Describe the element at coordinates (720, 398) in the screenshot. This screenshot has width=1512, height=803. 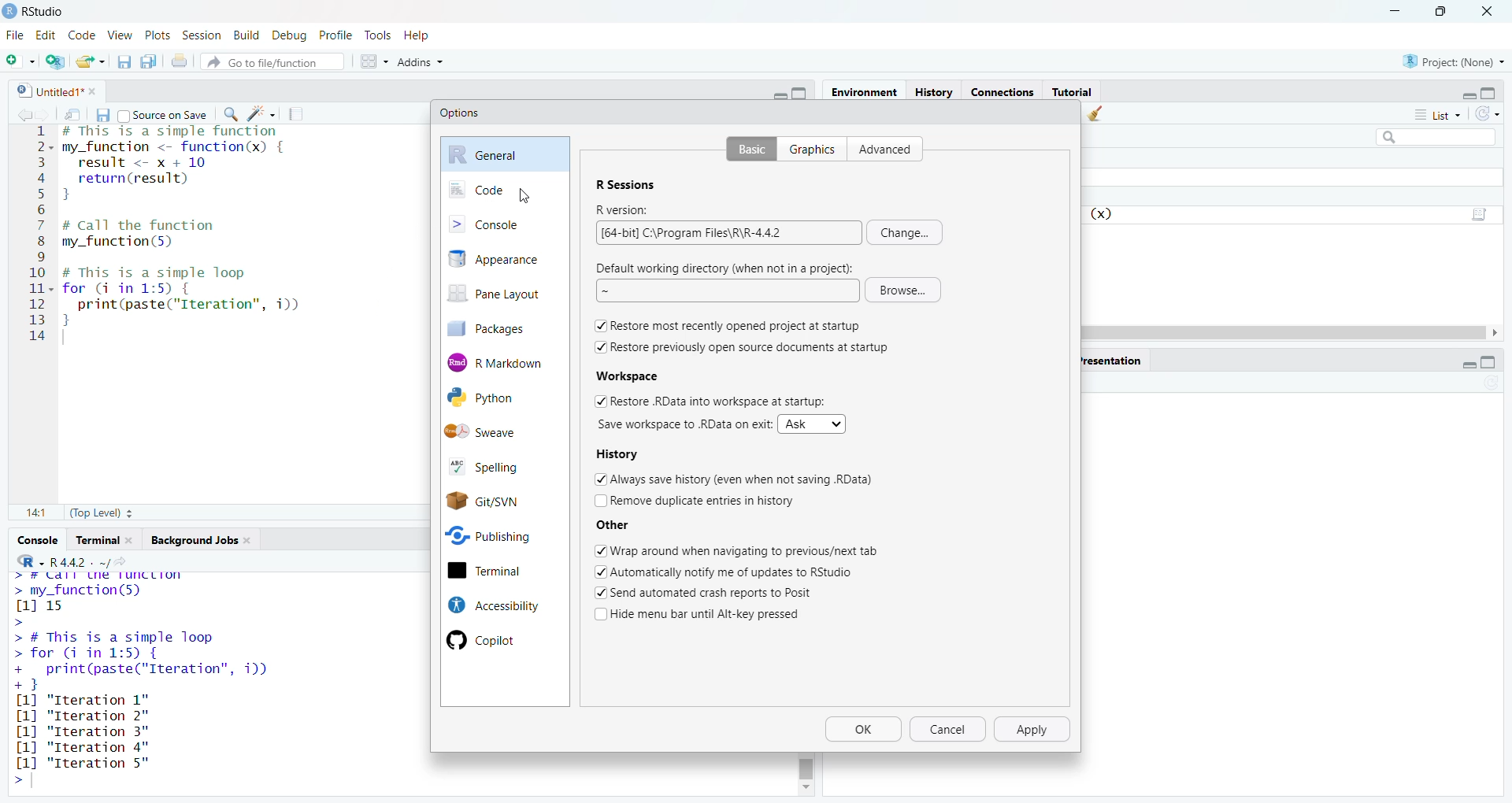
I see `Restore .RData into workspace at startup:` at that location.